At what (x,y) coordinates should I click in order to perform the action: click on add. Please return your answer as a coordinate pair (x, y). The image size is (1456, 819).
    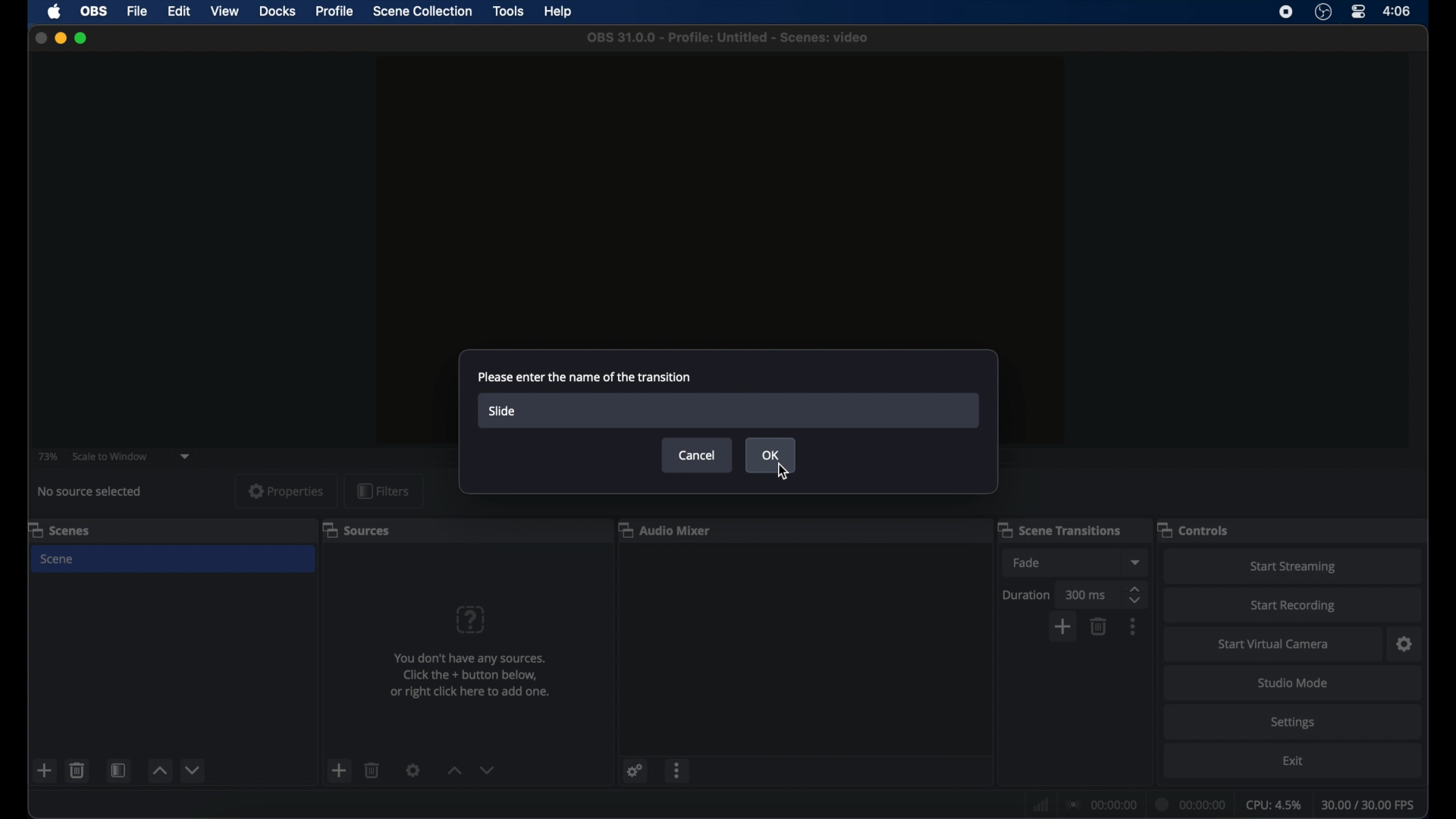
    Looking at the image, I should click on (45, 770).